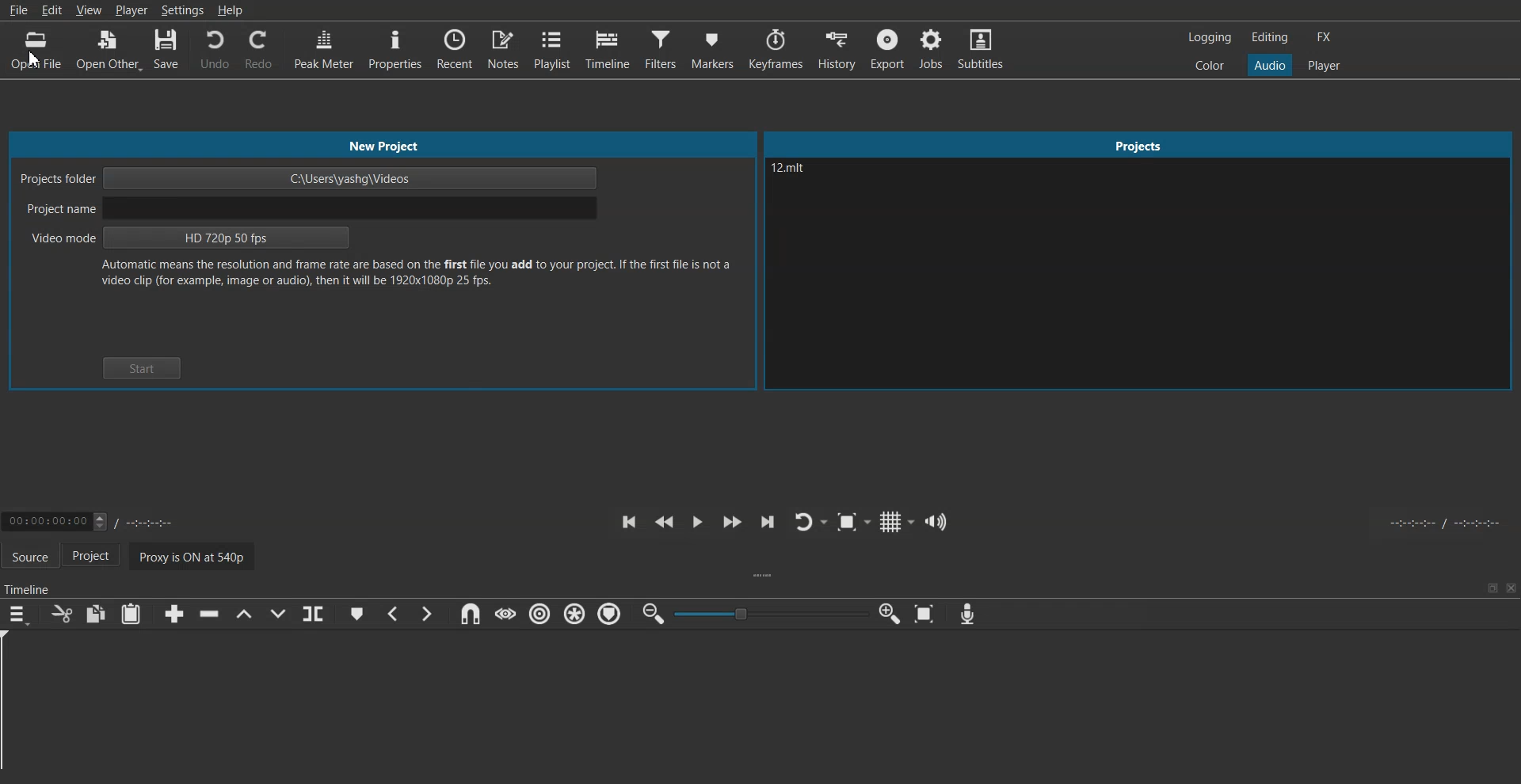 The image size is (1521, 784). What do you see at coordinates (131, 614) in the screenshot?
I see `Paste` at bounding box center [131, 614].